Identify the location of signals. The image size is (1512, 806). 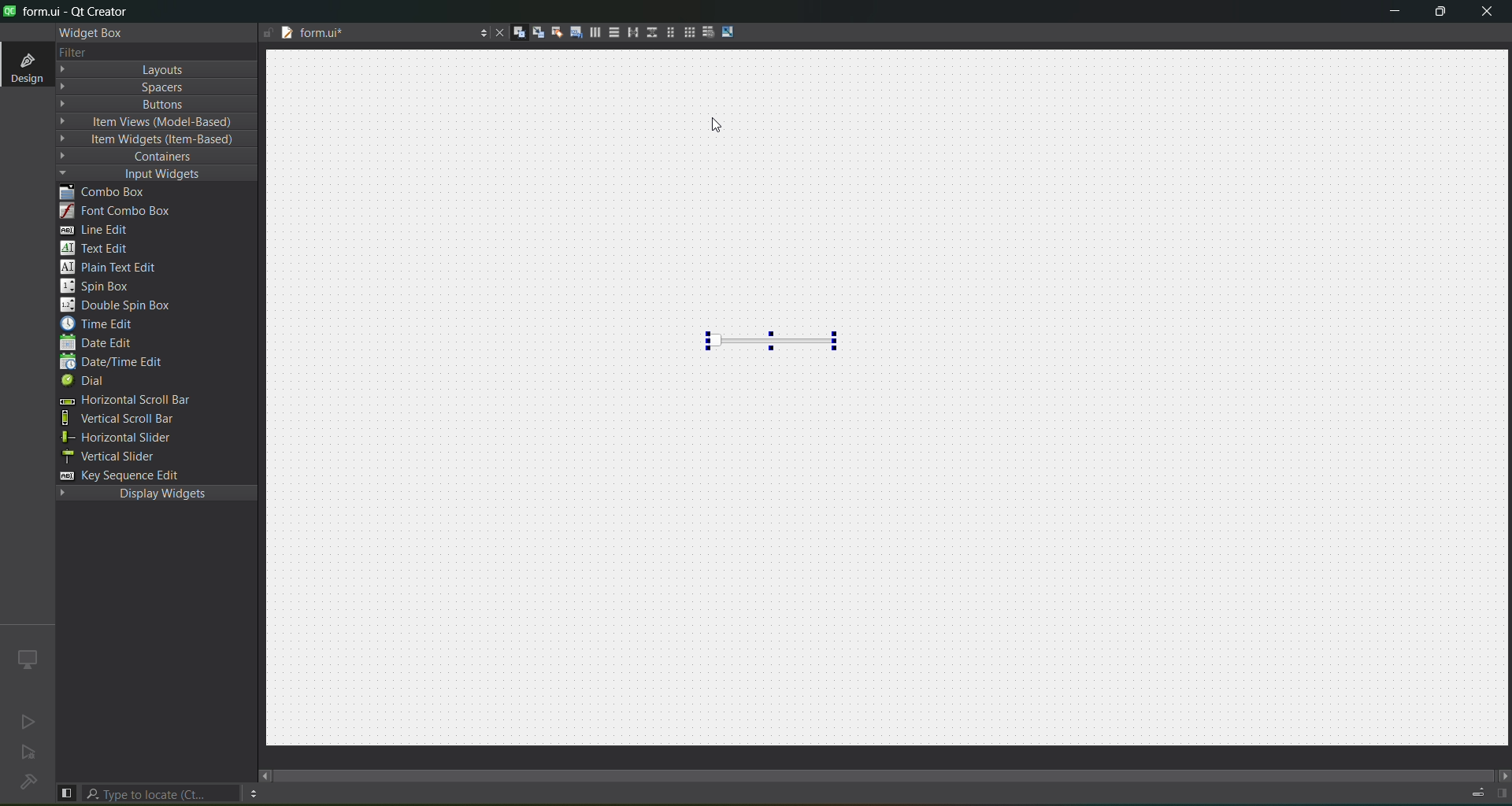
(532, 31).